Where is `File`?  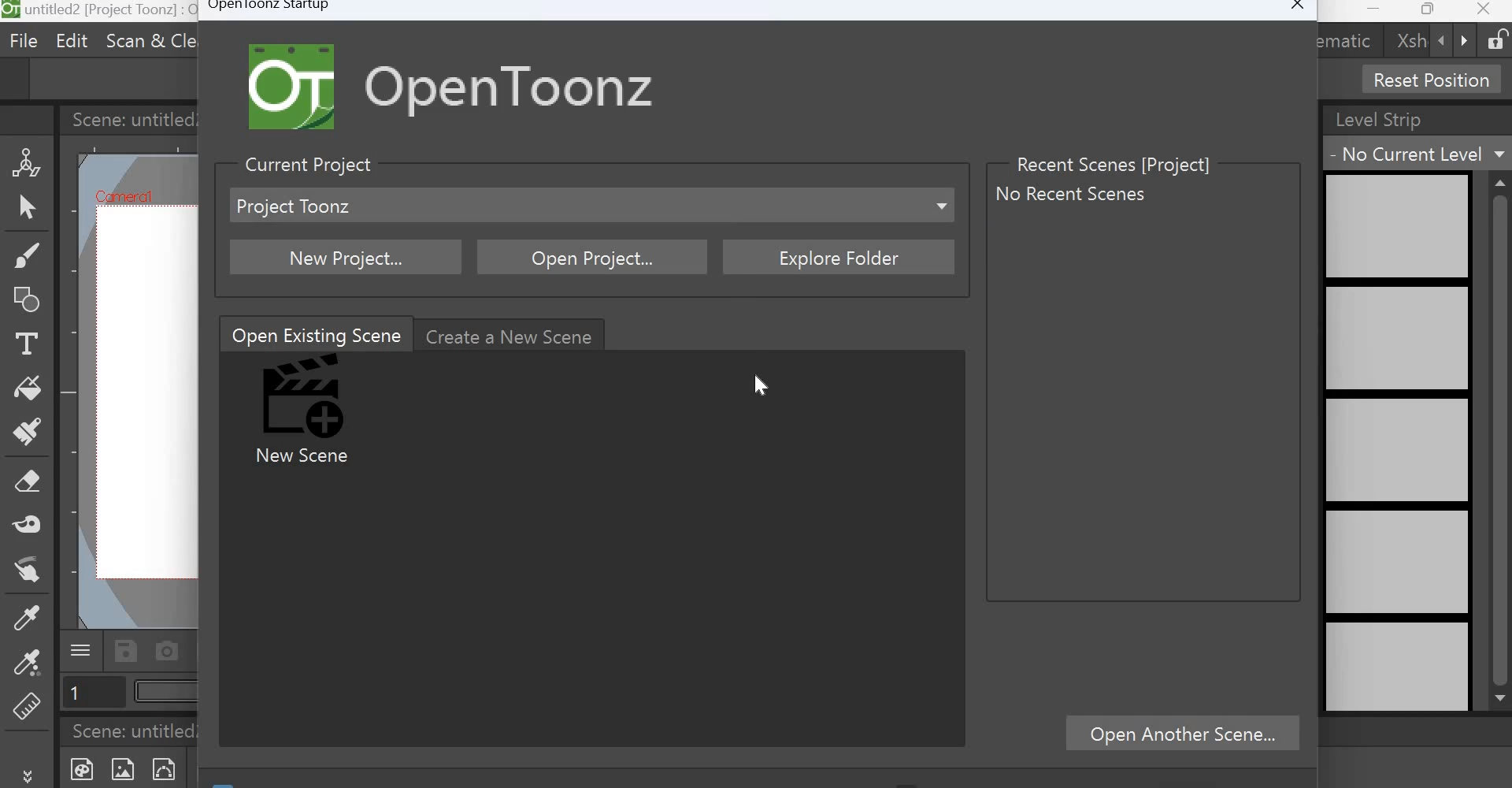 File is located at coordinates (26, 42).